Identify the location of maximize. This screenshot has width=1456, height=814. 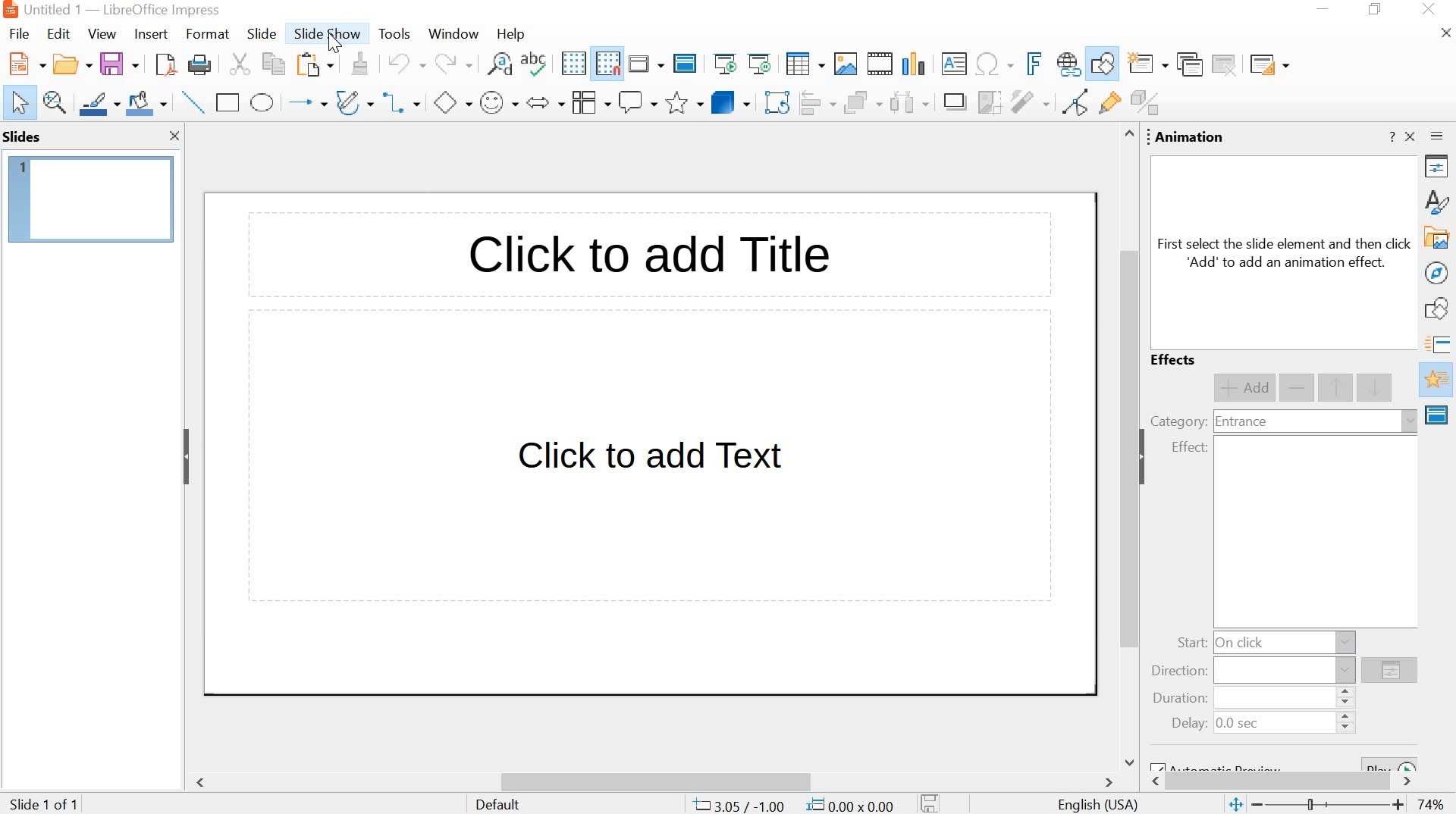
(1378, 11).